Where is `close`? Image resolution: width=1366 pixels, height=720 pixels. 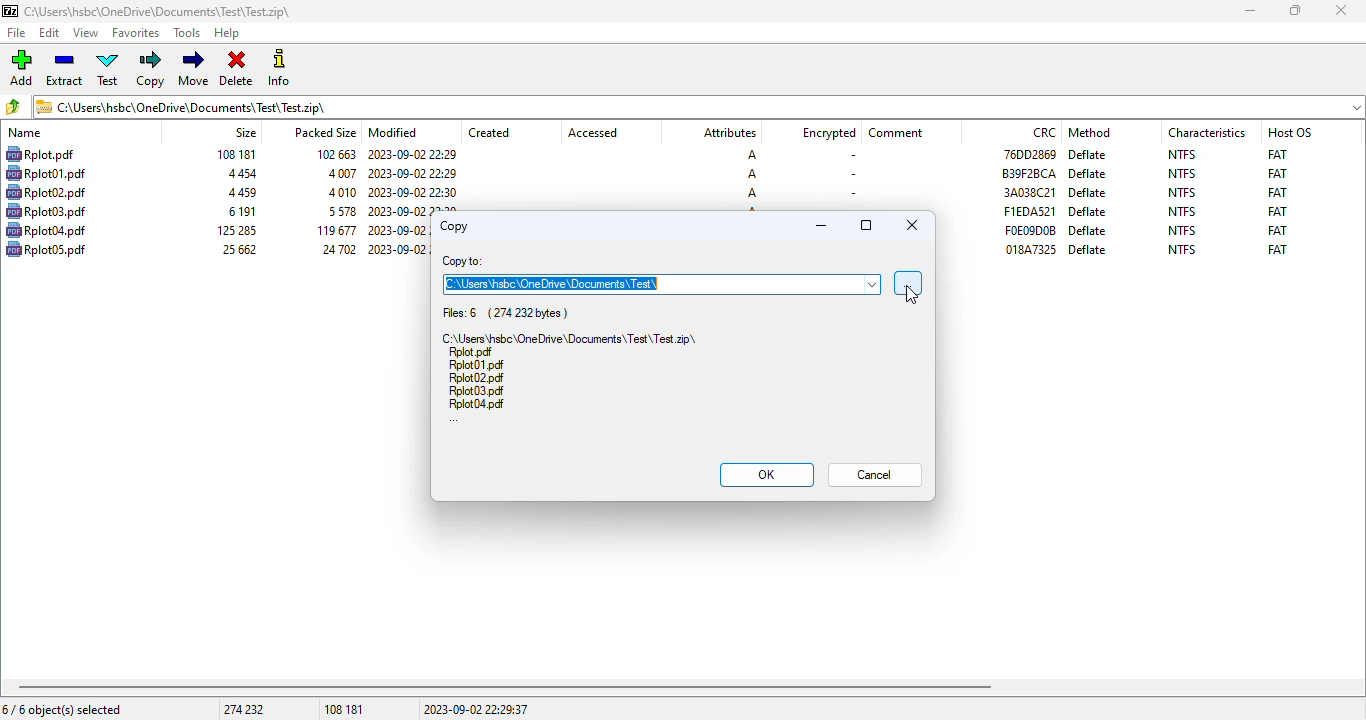
close is located at coordinates (912, 224).